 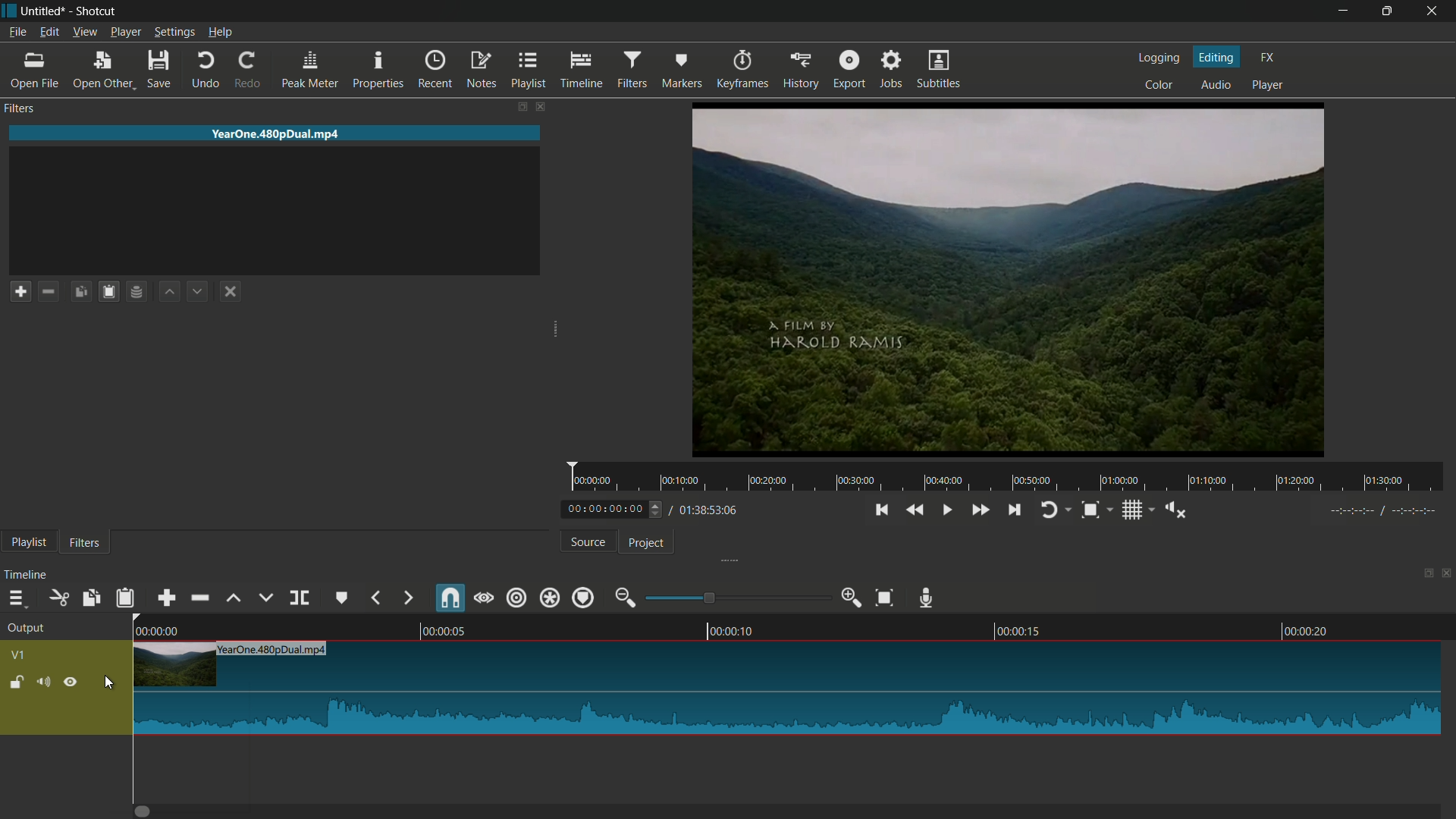 What do you see at coordinates (1162, 86) in the screenshot?
I see `color` at bounding box center [1162, 86].